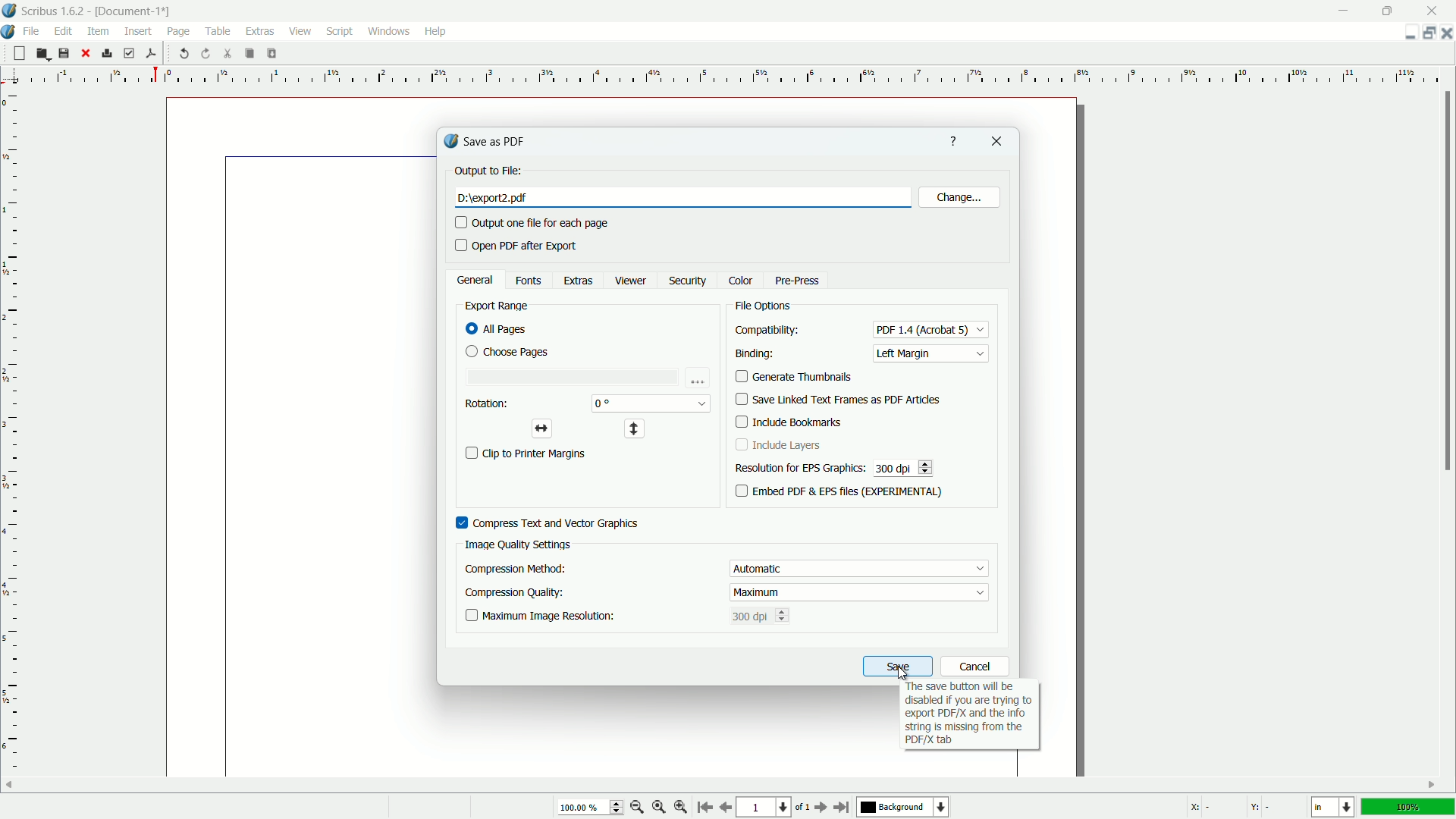 The height and width of the screenshot is (819, 1456). What do you see at coordinates (764, 306) in the screenshot?
I see `file options` at bounding box center [764, 306].